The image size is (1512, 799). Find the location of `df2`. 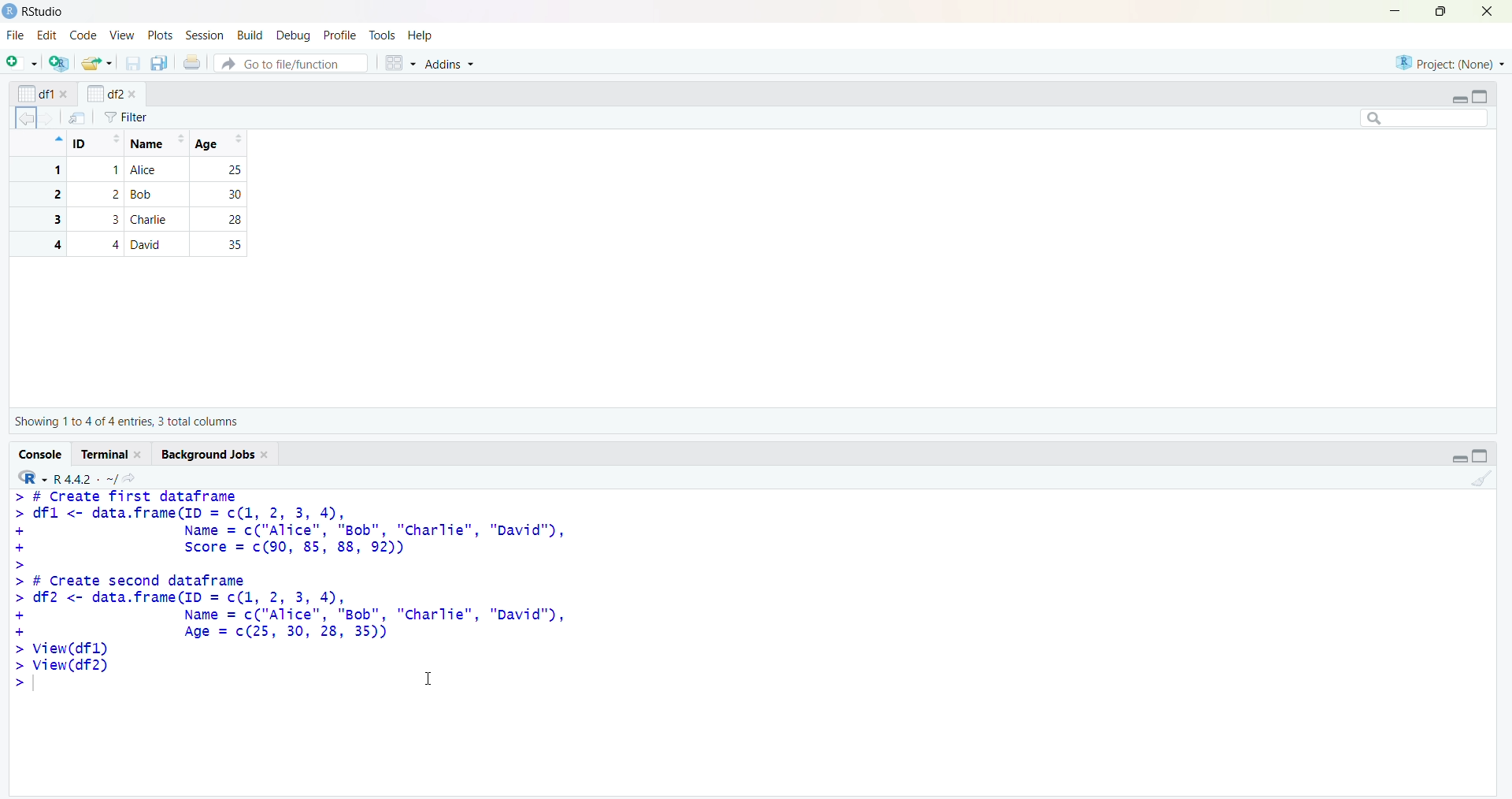

df2 is located at coordinates (104, 93).